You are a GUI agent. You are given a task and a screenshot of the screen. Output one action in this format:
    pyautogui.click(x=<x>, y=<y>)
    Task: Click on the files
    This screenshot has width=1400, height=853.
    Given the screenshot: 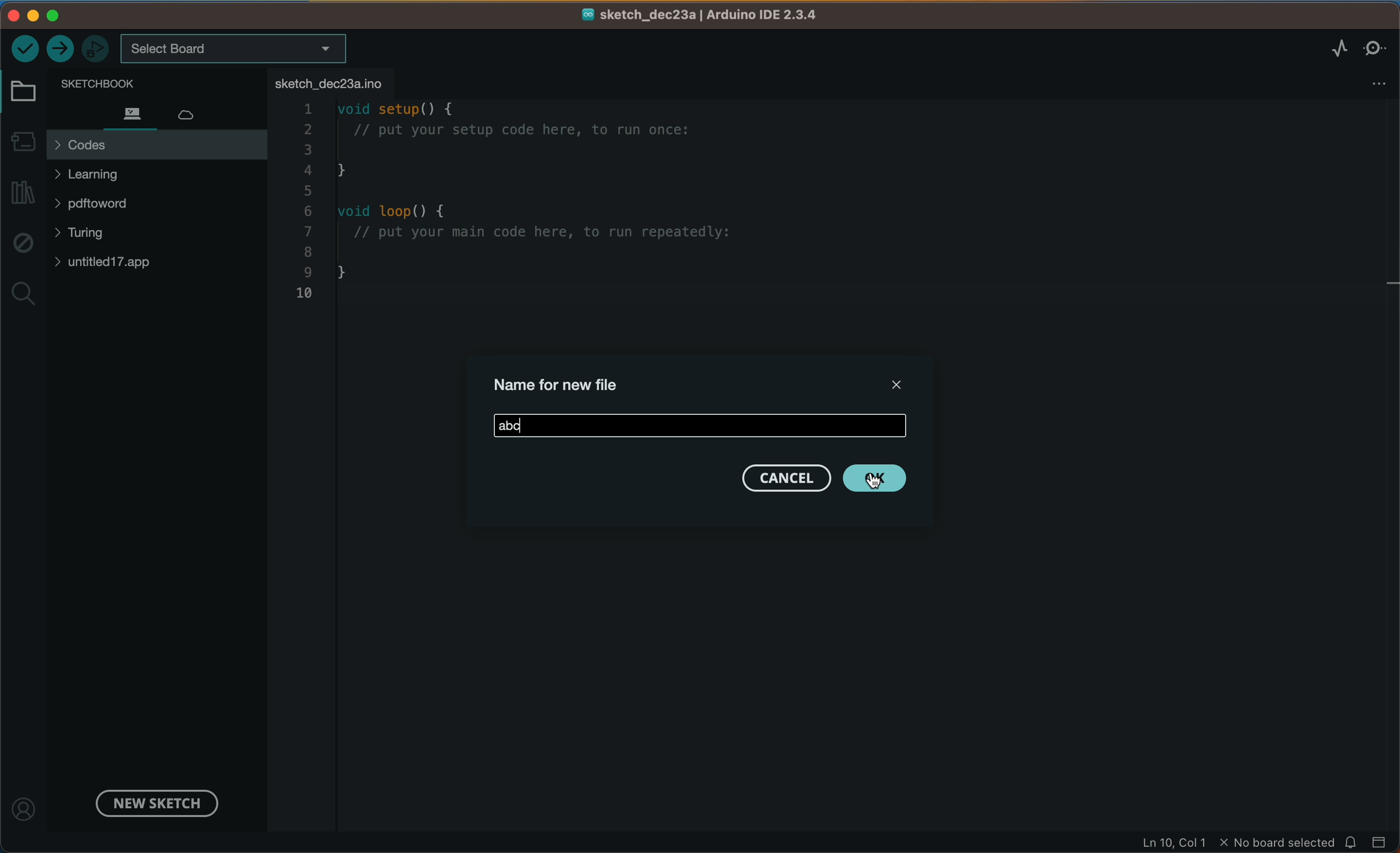 What is the action you would take?
    pyautogui.click(x=131, y=113)
    